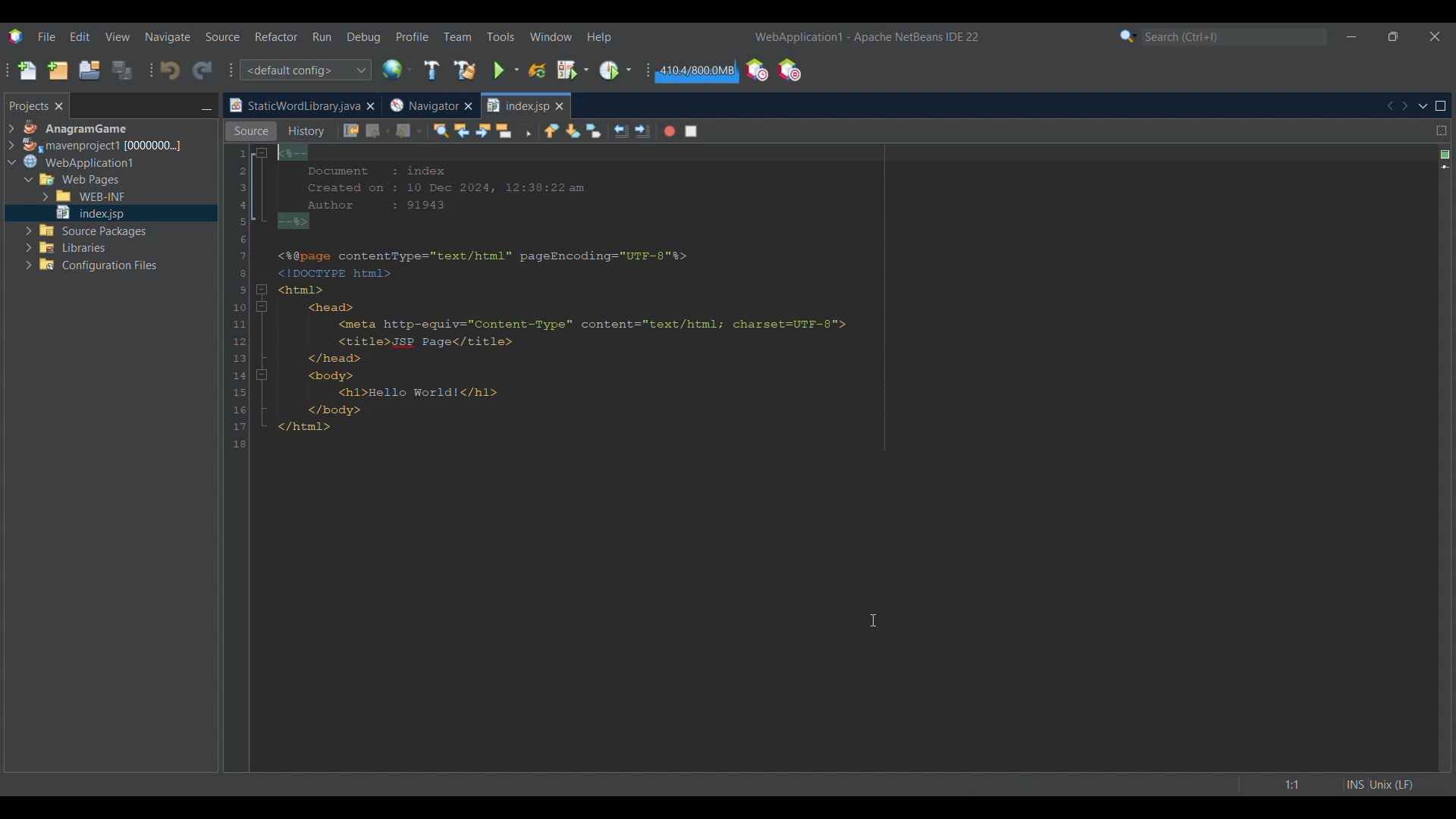  What do you see at coordinates (293, 106) in the screenshot?
I see `Current tab highlighted` at bounding box center [293, 106].